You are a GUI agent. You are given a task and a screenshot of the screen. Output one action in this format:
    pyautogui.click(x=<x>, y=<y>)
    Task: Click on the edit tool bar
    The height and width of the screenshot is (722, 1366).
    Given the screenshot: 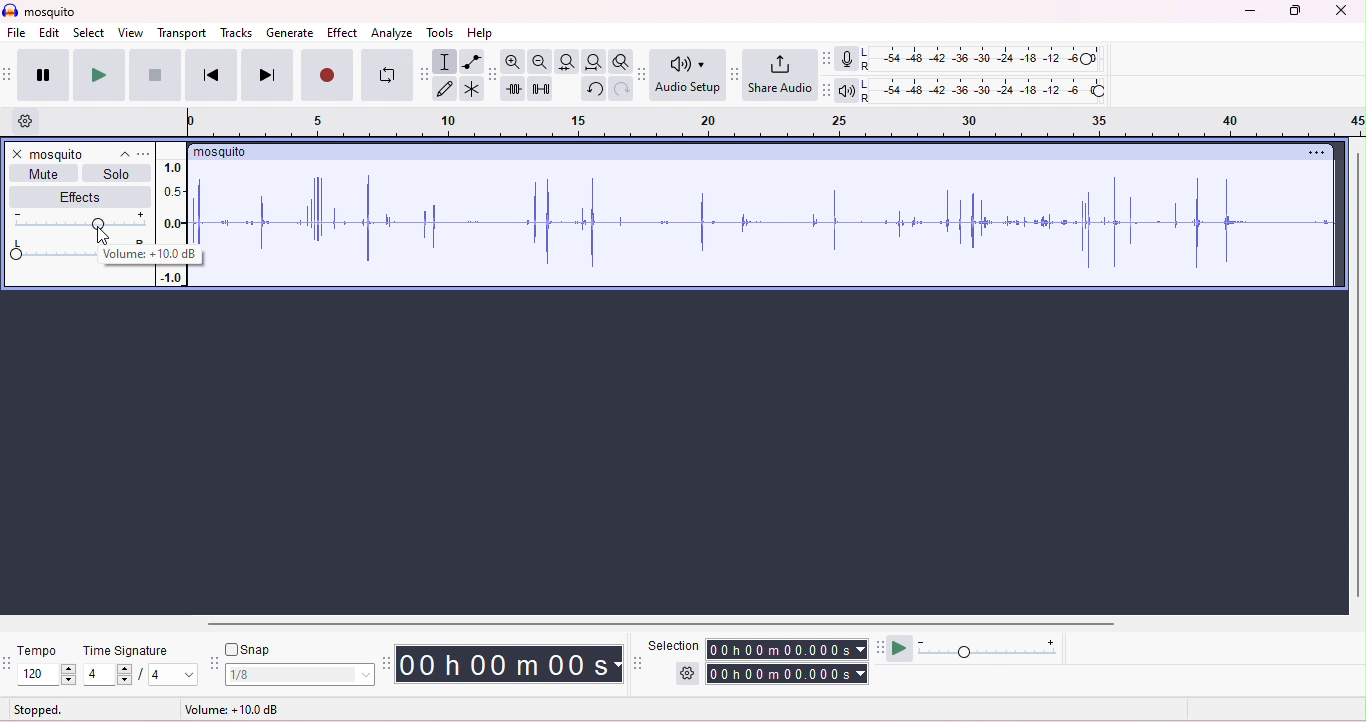 What is the action you would take?
    pyautogui.click(x=493, y=75)
    